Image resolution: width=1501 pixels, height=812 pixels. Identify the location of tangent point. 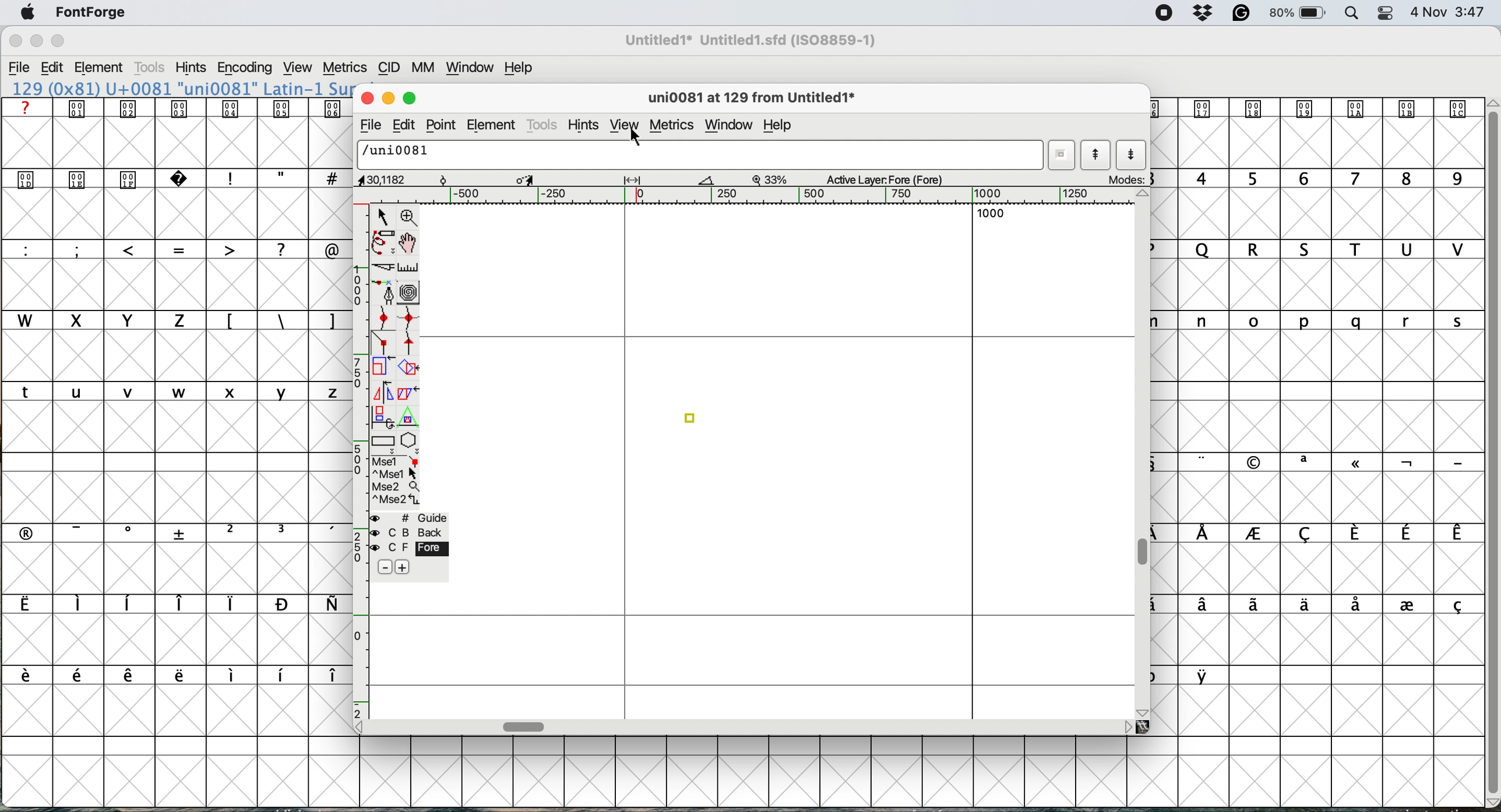
(411, 346).